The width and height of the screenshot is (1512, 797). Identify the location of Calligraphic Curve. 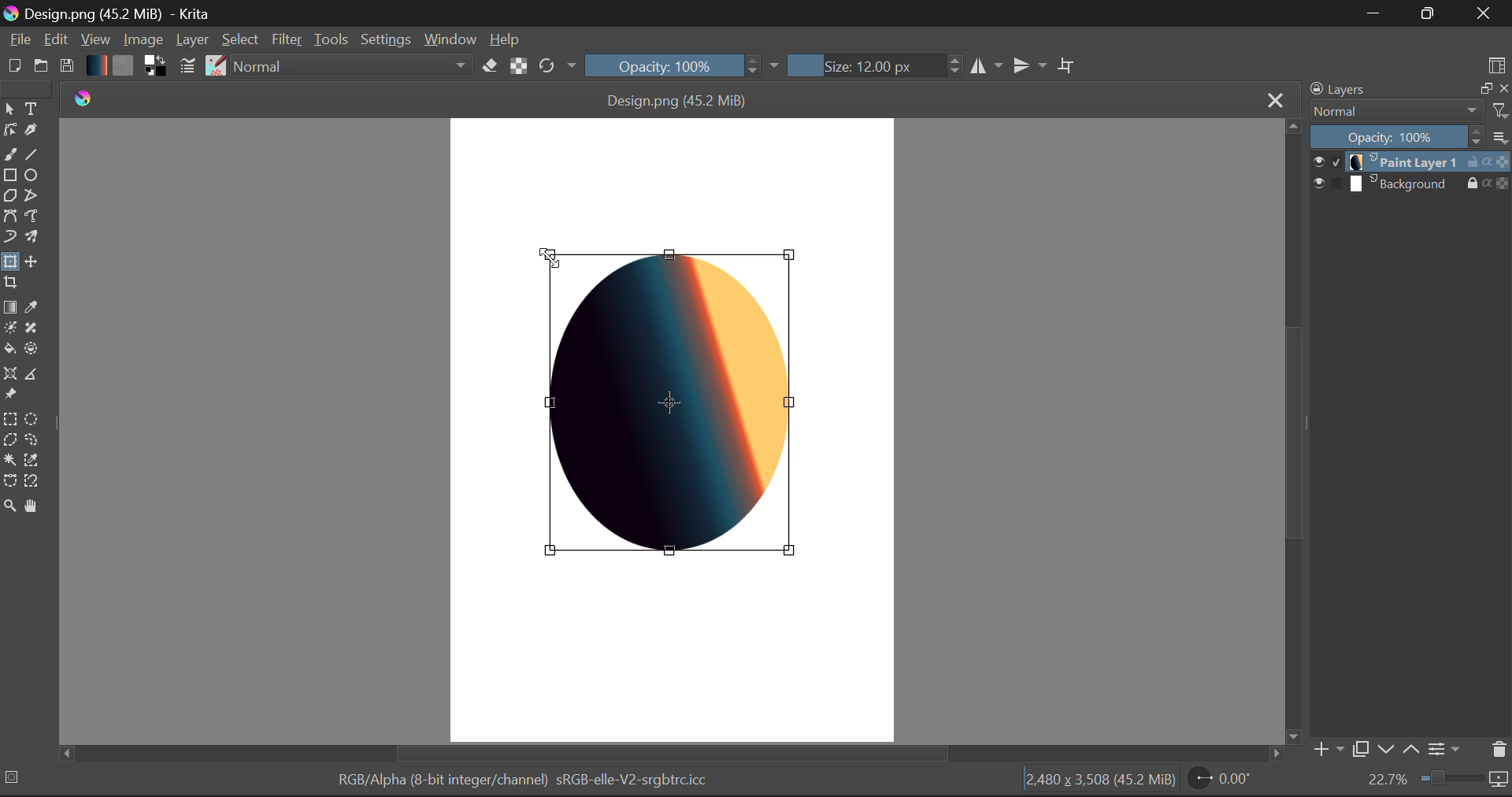
(31, 131).